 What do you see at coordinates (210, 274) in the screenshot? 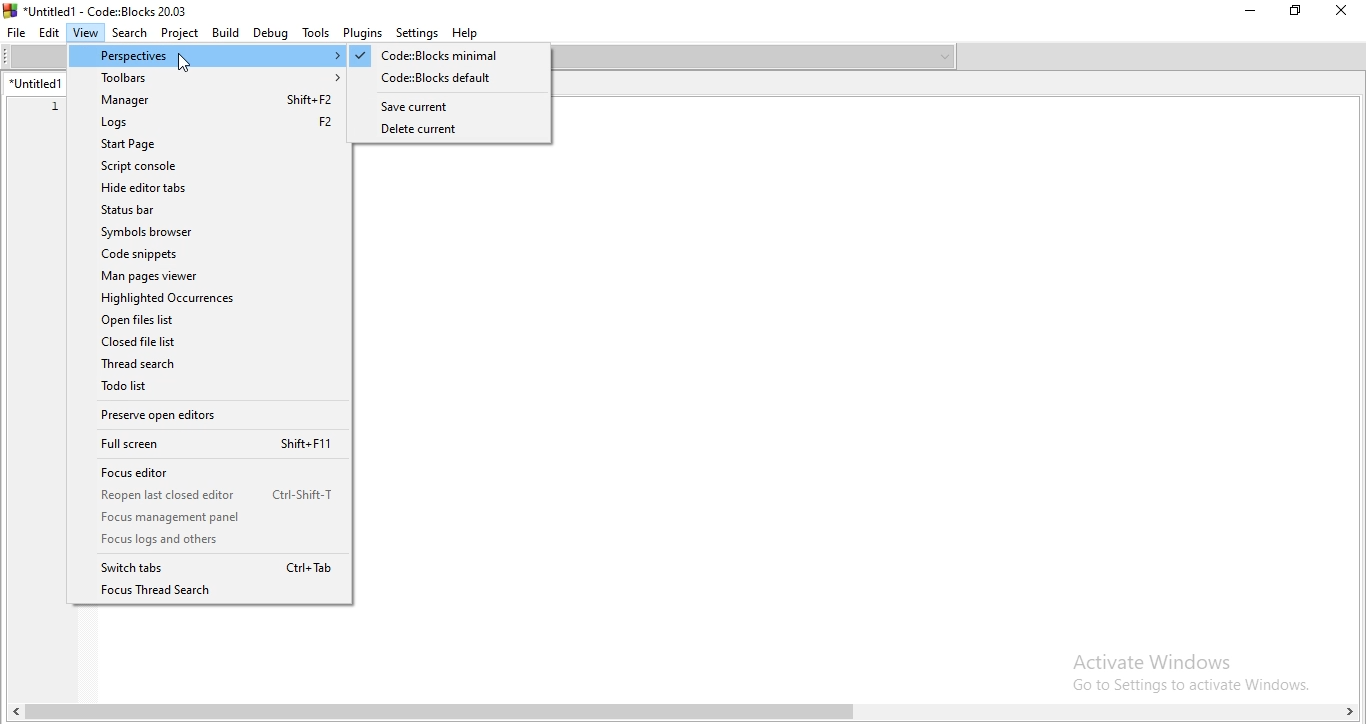
I see `Man pages viewer ` at bounding box center [210, 274].